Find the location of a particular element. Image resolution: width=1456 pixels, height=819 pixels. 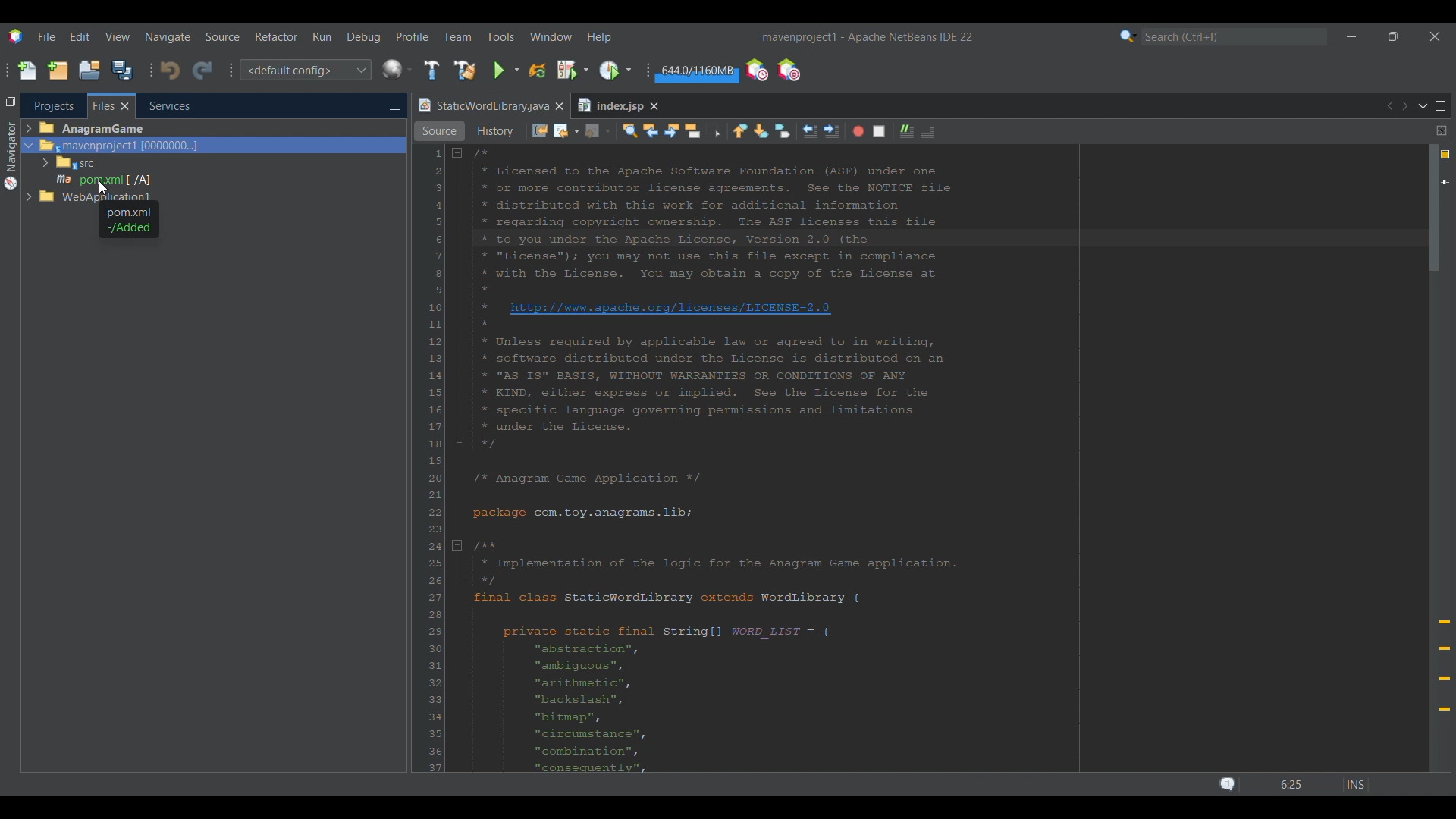

Project name added is located at coordinates (867, 37).